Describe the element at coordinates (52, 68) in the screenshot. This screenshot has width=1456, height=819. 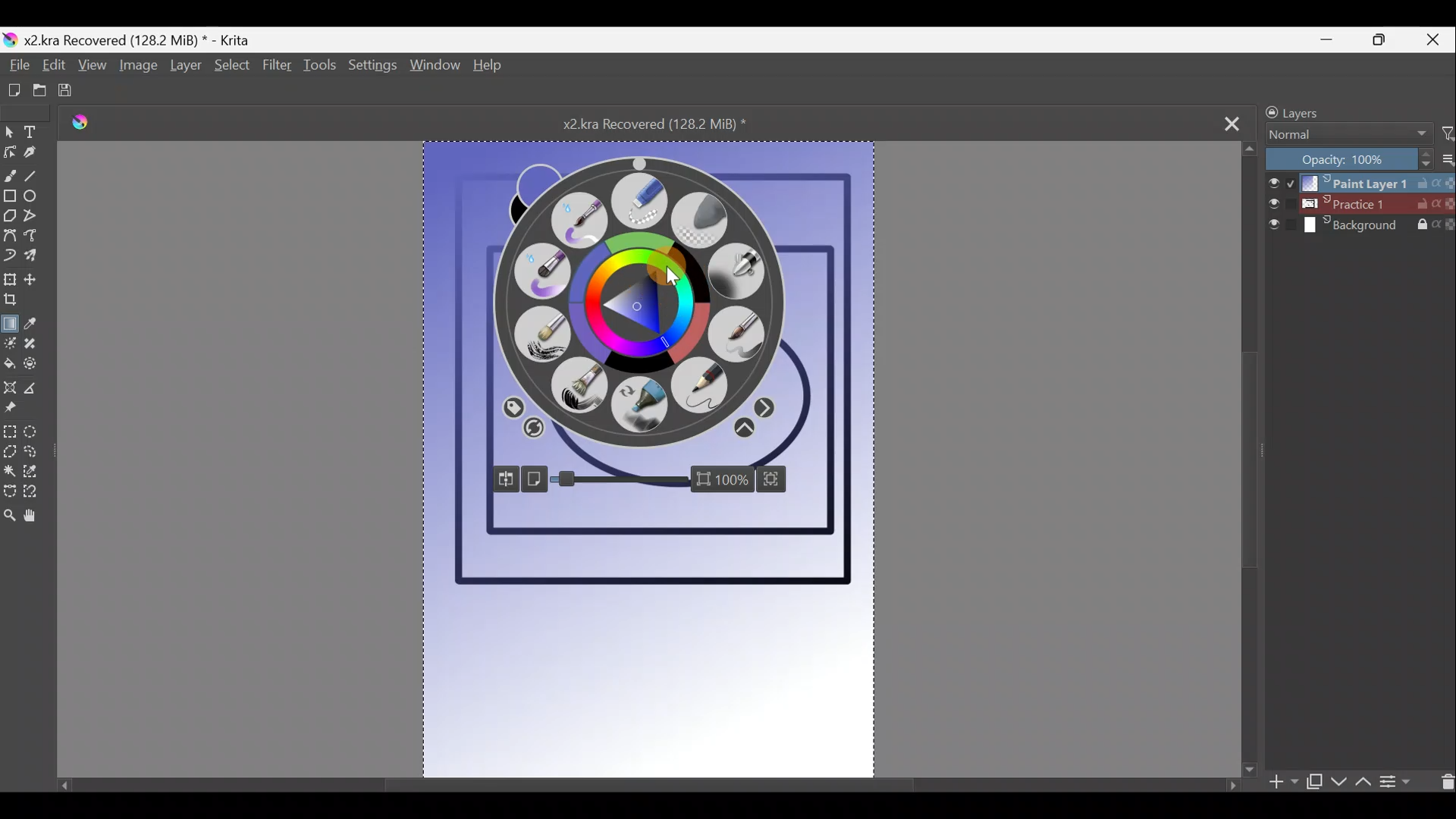
I see `Edit` at that location.